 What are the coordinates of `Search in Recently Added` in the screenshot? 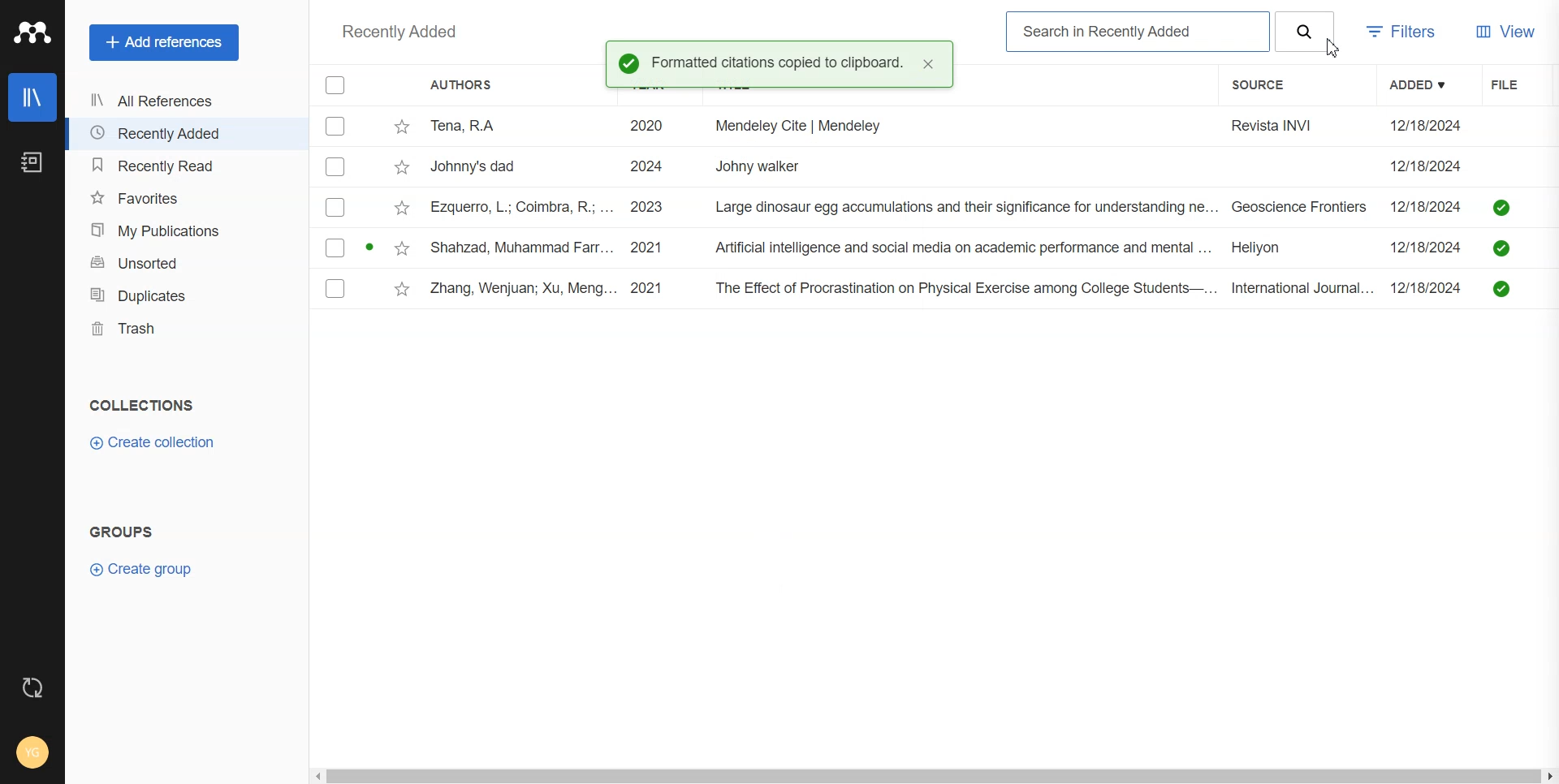 It's located at (1138, 32).